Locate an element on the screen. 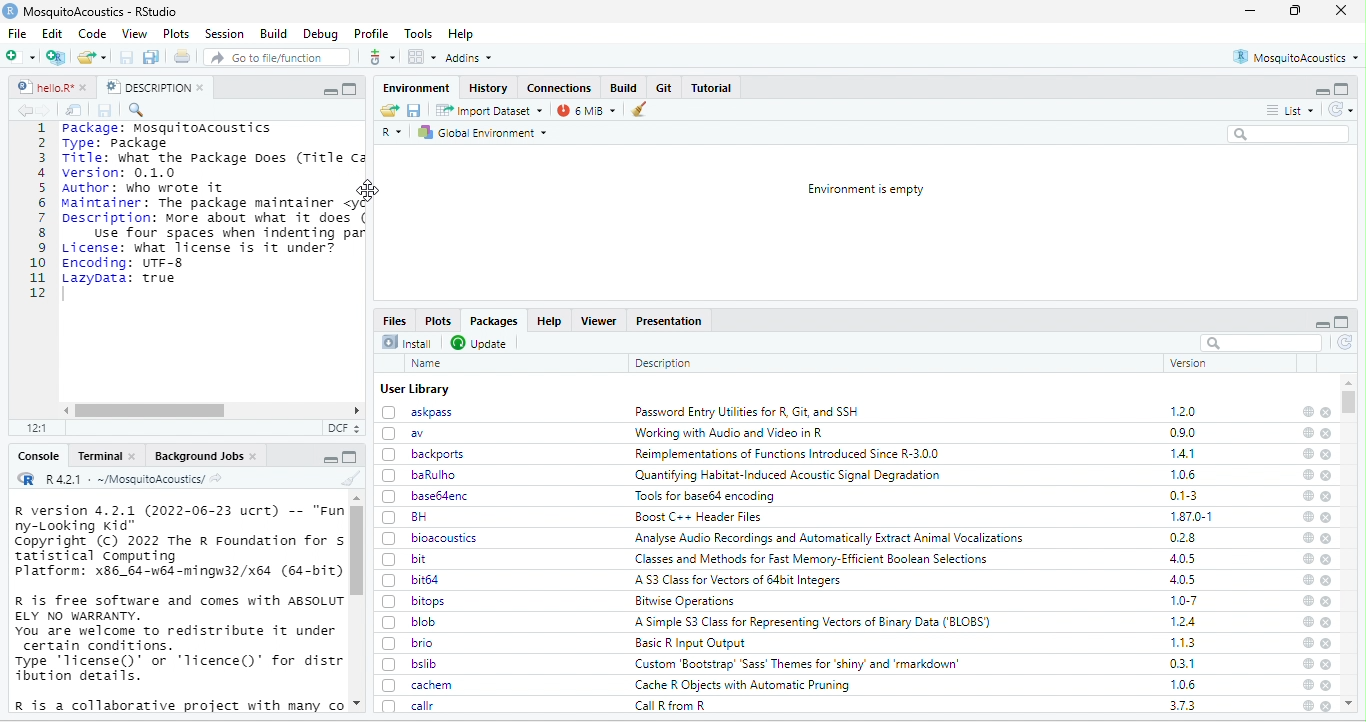  help is located at coordinates (1307, 496).